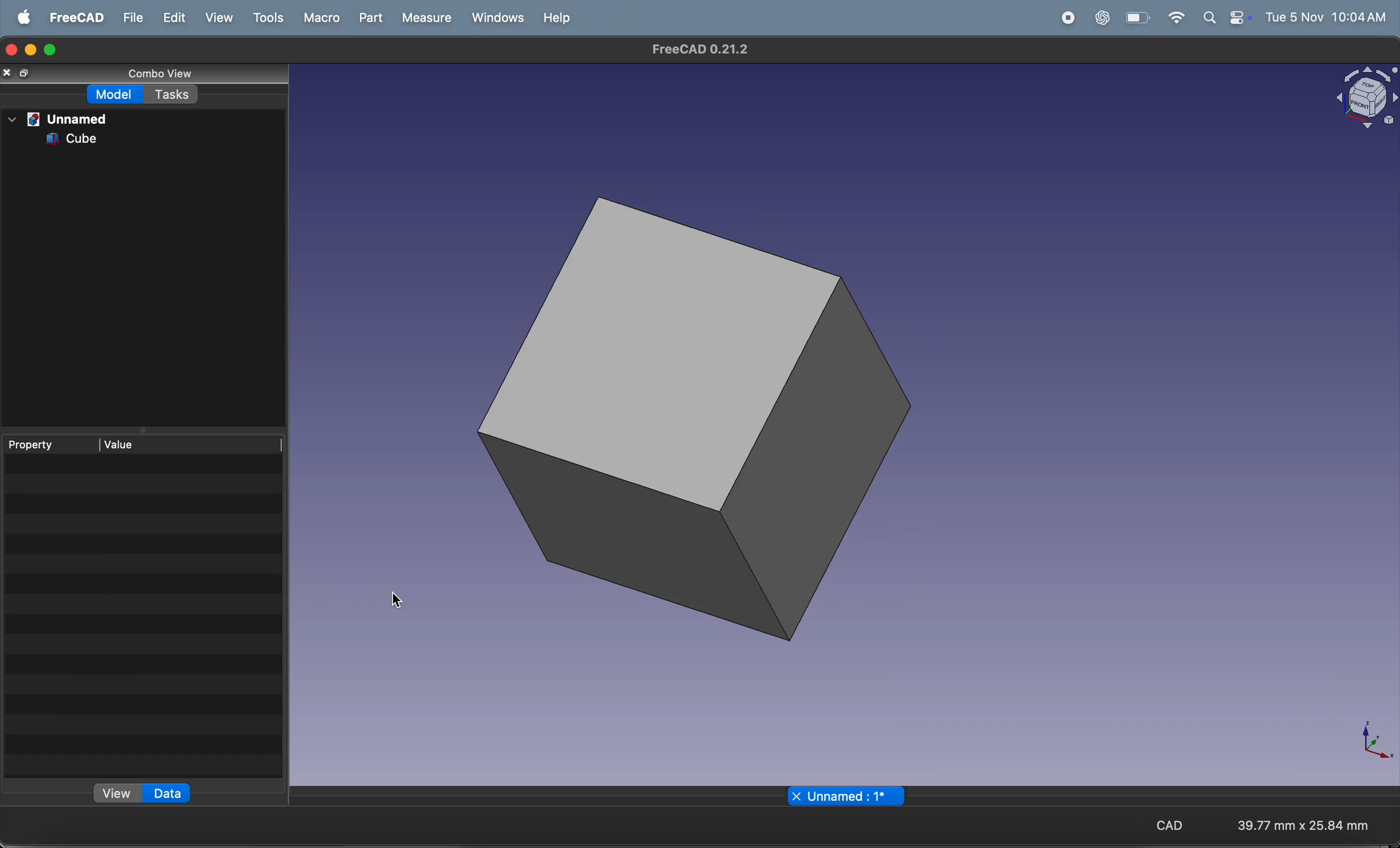 This screenshot has width=1400, height=848. I want to click on cube, so click(80, 137).